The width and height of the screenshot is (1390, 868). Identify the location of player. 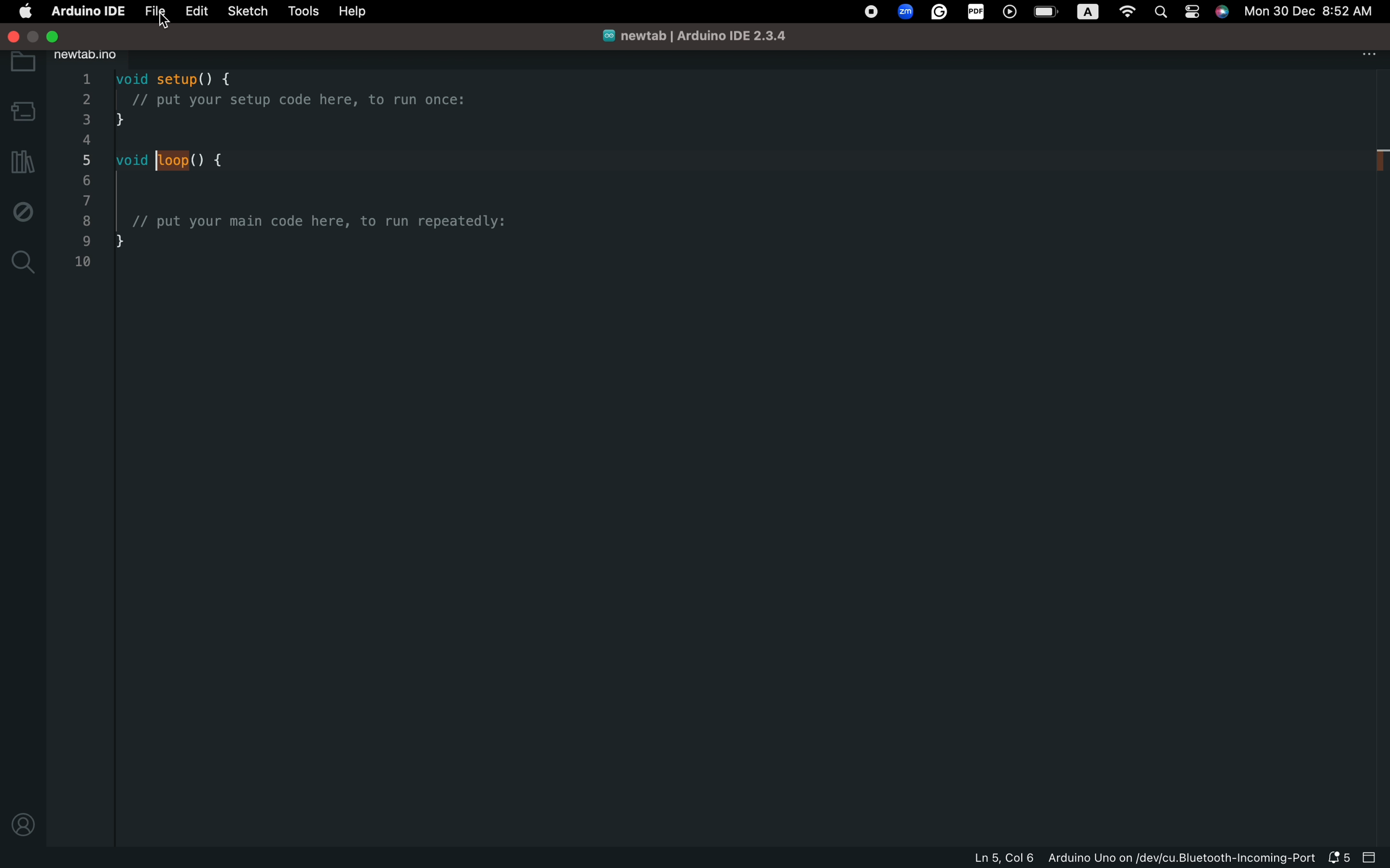
(1010, 11).